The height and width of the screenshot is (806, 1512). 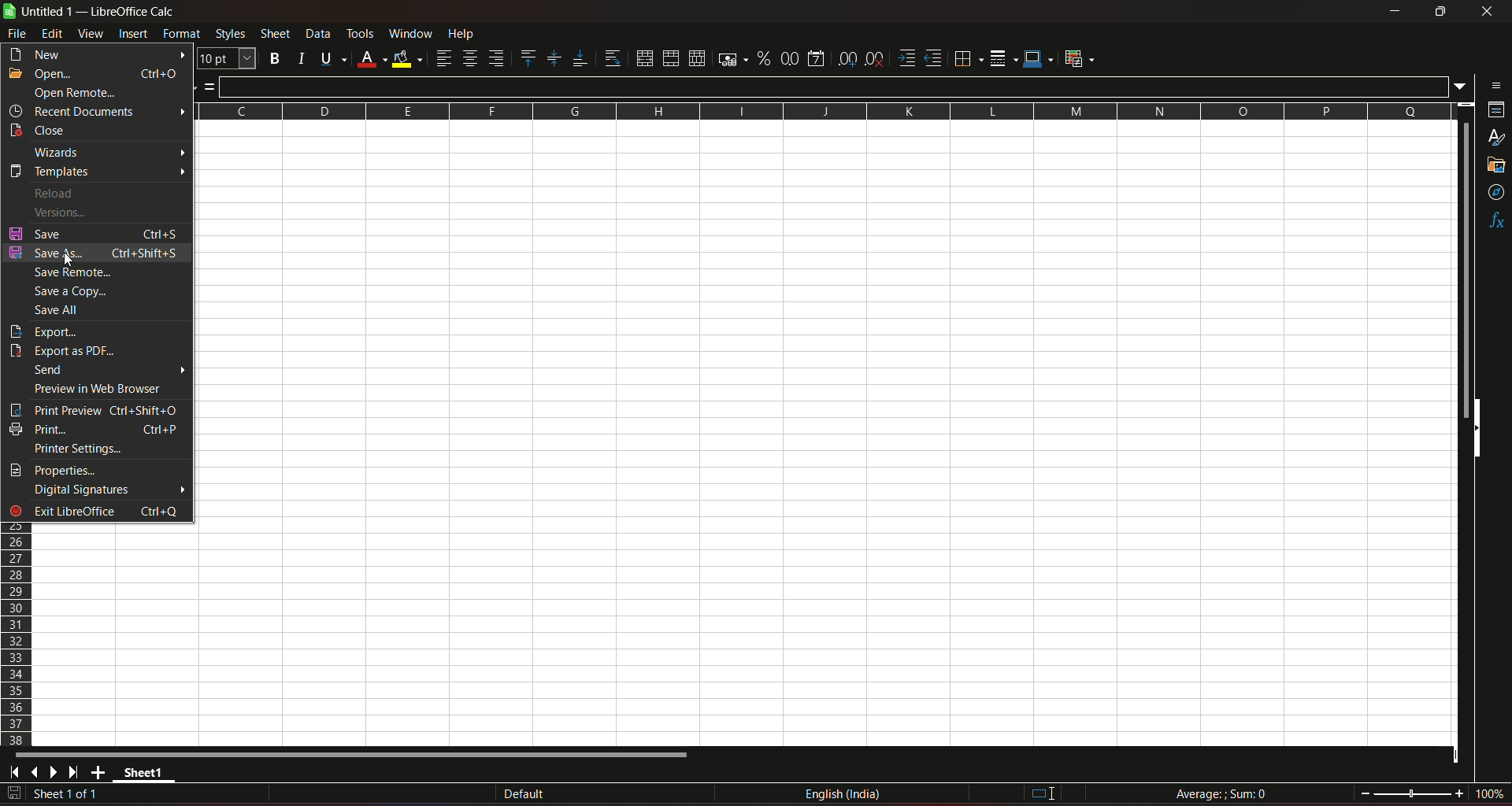 What do you see at coordinates (95, 253) in the screenshot?
I see `save as` at bounding box center [95, 253].